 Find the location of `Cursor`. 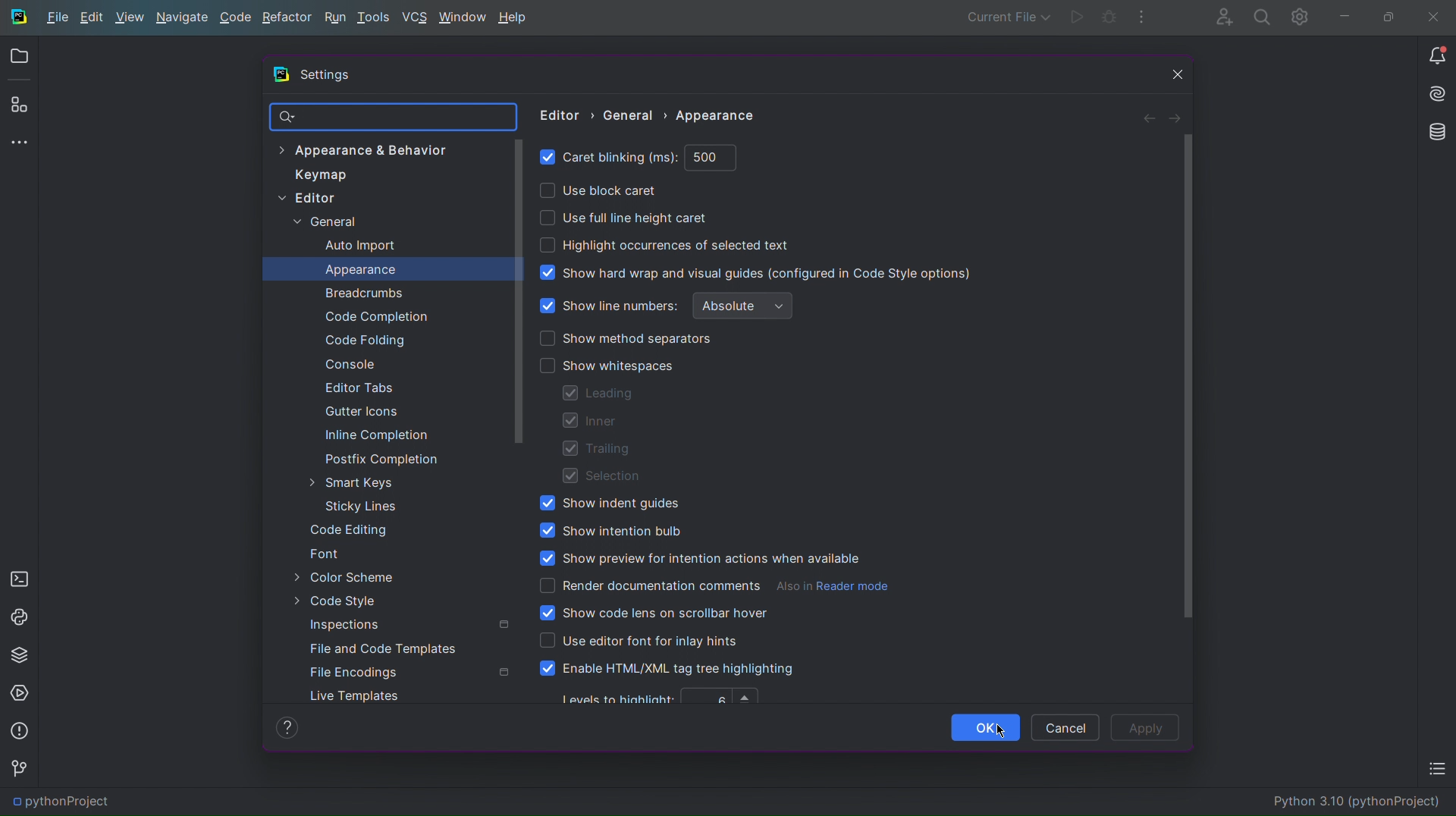

Cursor is located at coordinates (1002, 733).